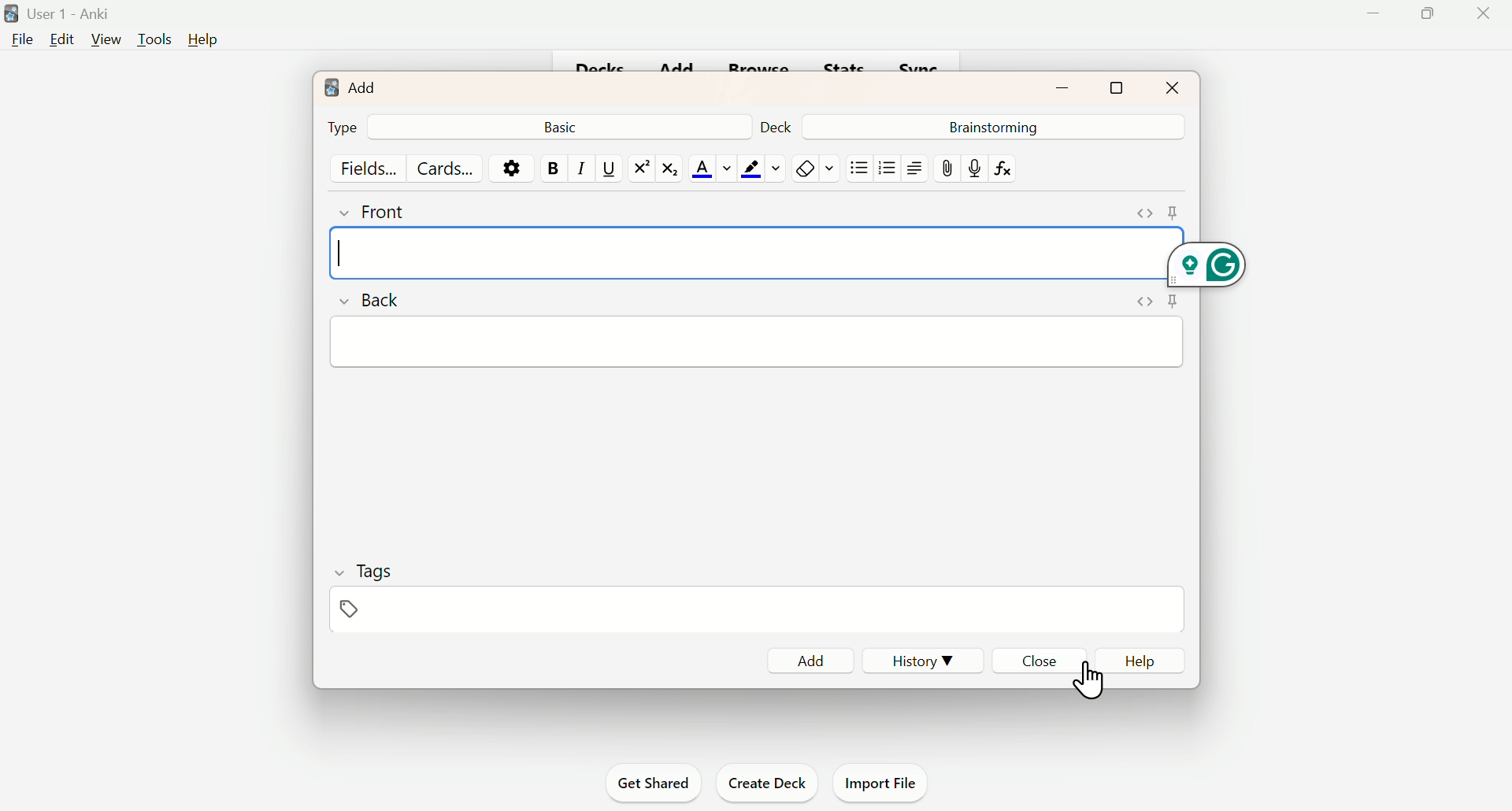 This screenshot has width=1512, height=811. Describe the element at coordinates (1210, 261) in the screenshot. I see `Grammarly` at that location.